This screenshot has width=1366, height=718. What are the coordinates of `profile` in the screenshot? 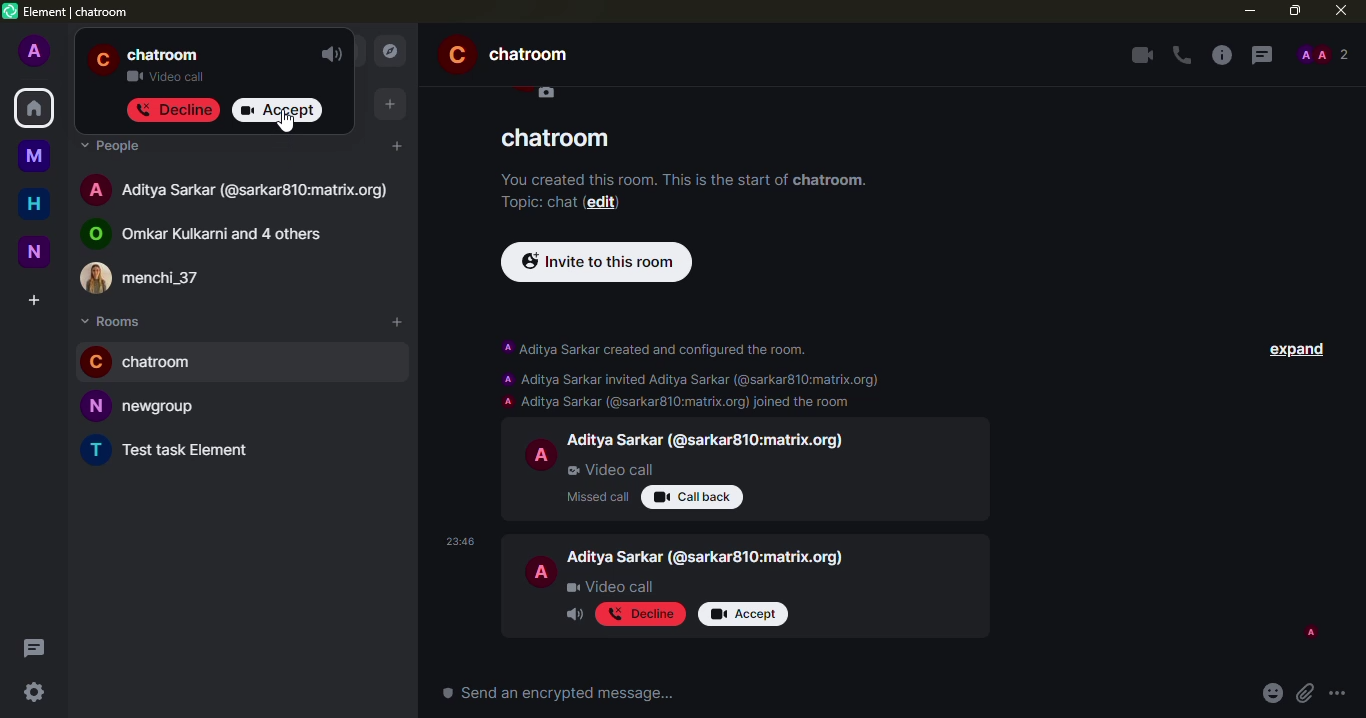 It's located at (103, 60).